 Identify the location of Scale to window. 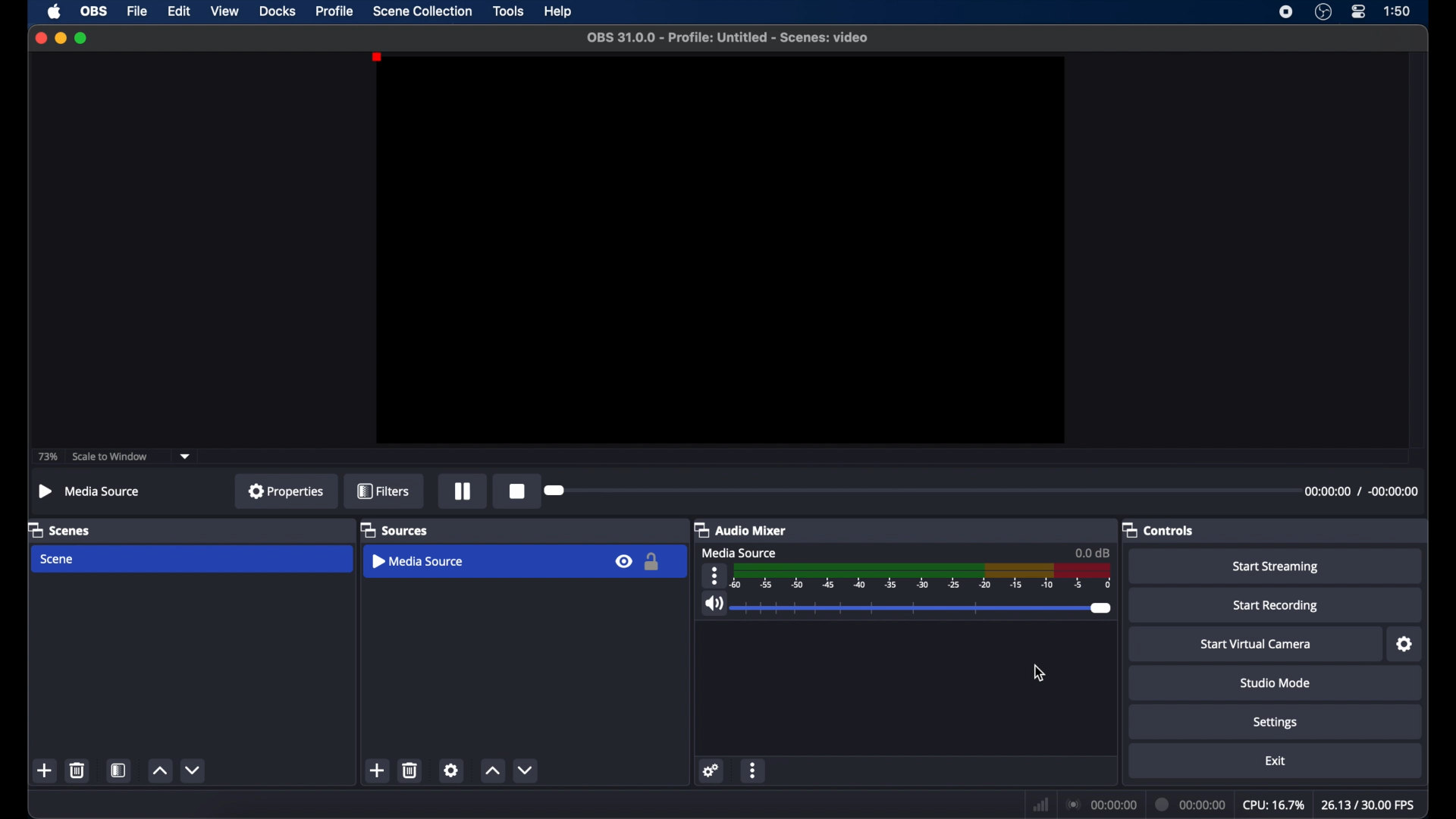
(112, 457).